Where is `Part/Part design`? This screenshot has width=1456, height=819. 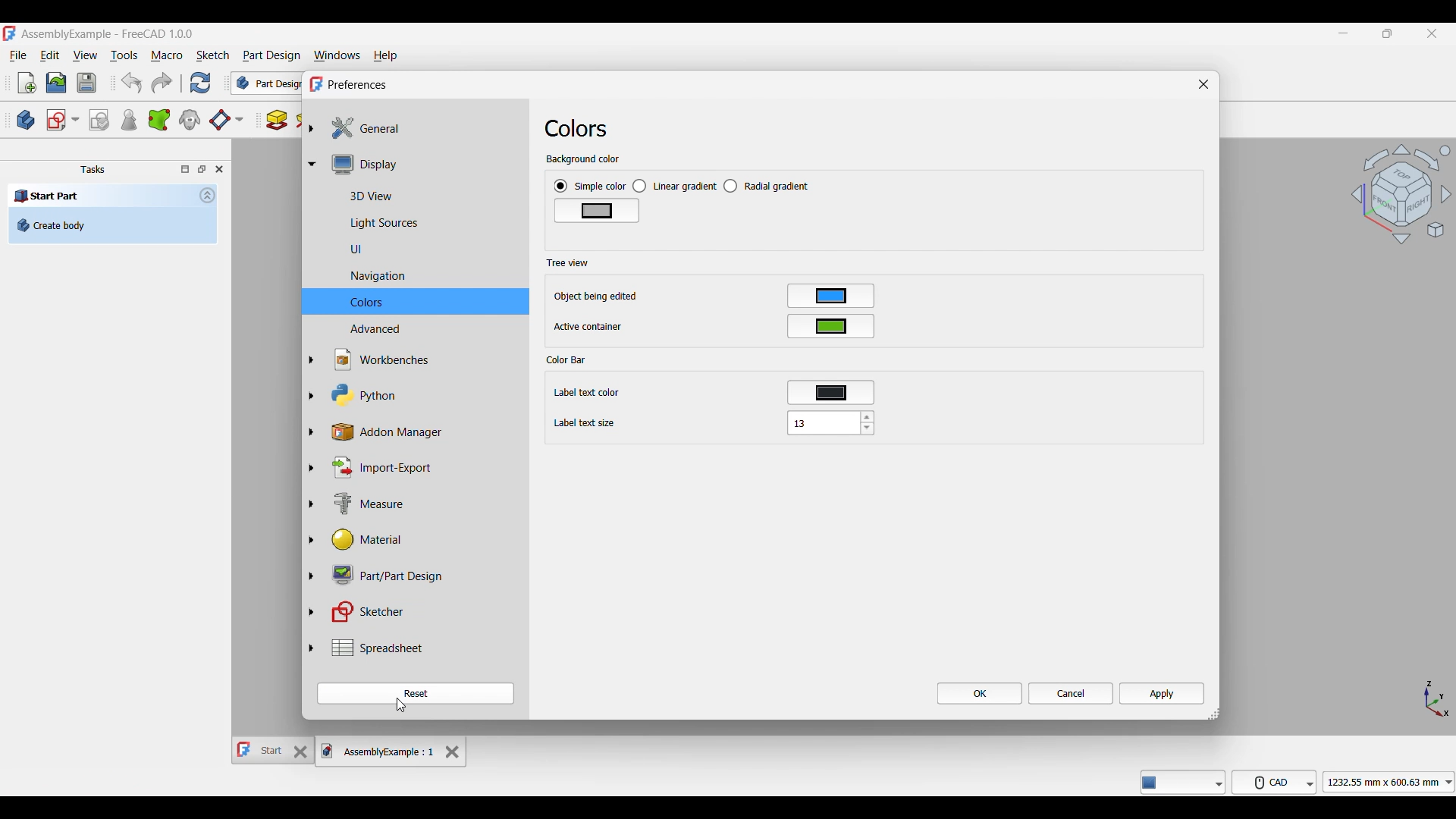
Part/Part design is located at coordinates (379, 576).